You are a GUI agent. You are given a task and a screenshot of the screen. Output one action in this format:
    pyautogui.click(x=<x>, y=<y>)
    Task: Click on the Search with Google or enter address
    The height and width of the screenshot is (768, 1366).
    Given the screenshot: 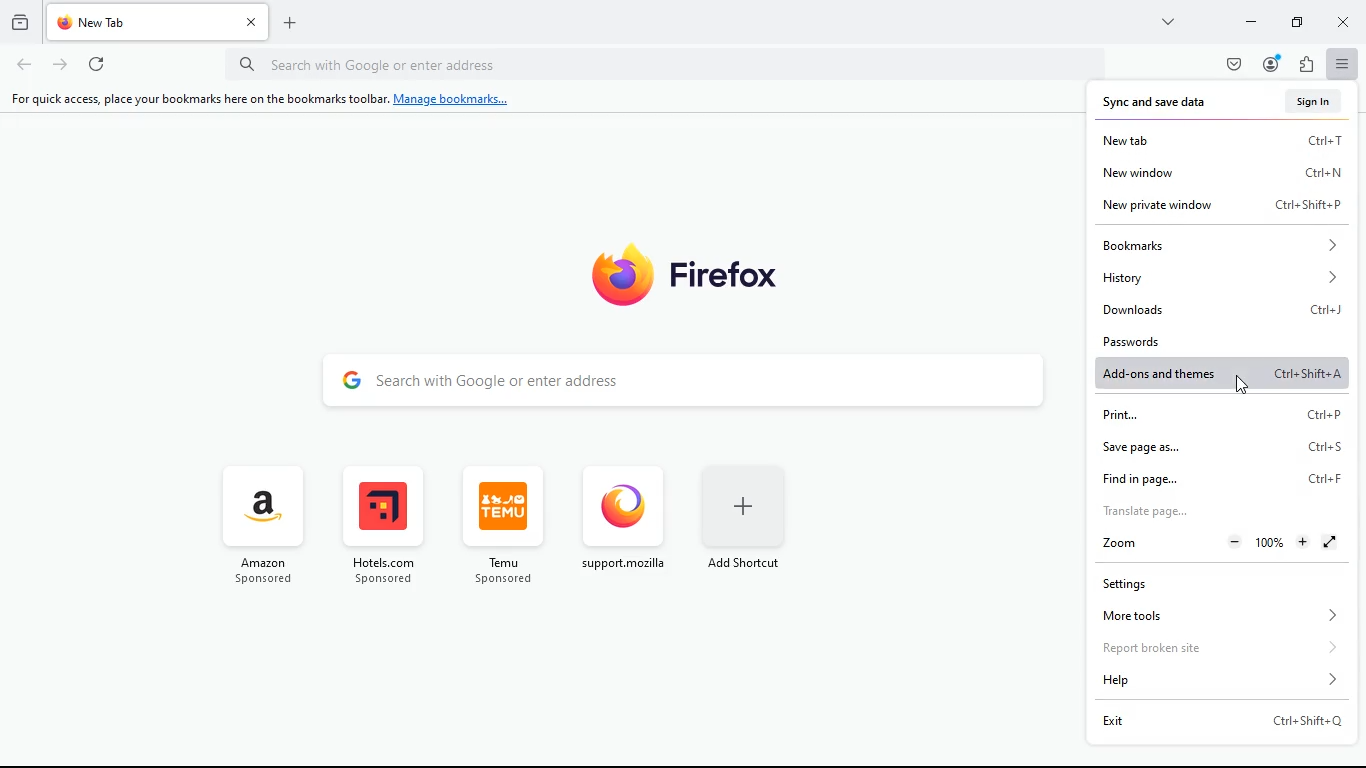 What is the action you would take?
    pyautogui.click(x=663, y=64)
    